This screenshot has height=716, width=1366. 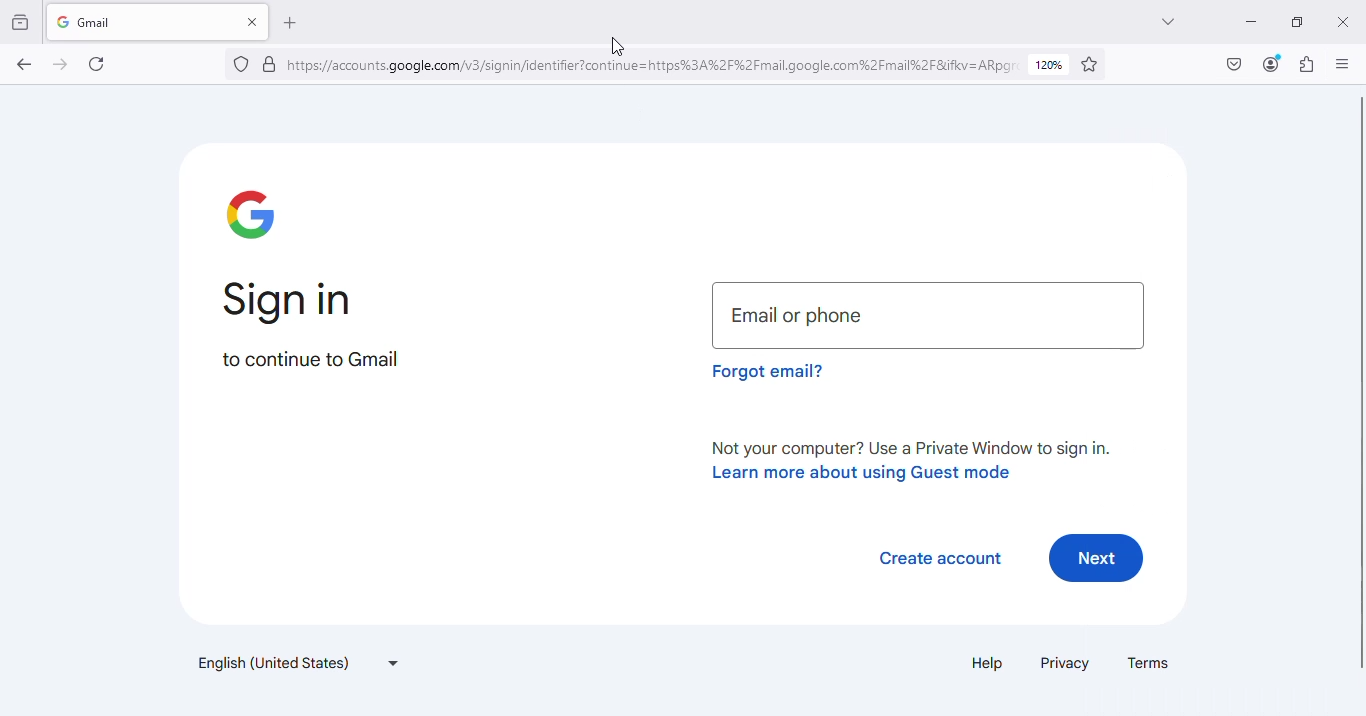 I want to click on close tab, so click(x=254, y=21).